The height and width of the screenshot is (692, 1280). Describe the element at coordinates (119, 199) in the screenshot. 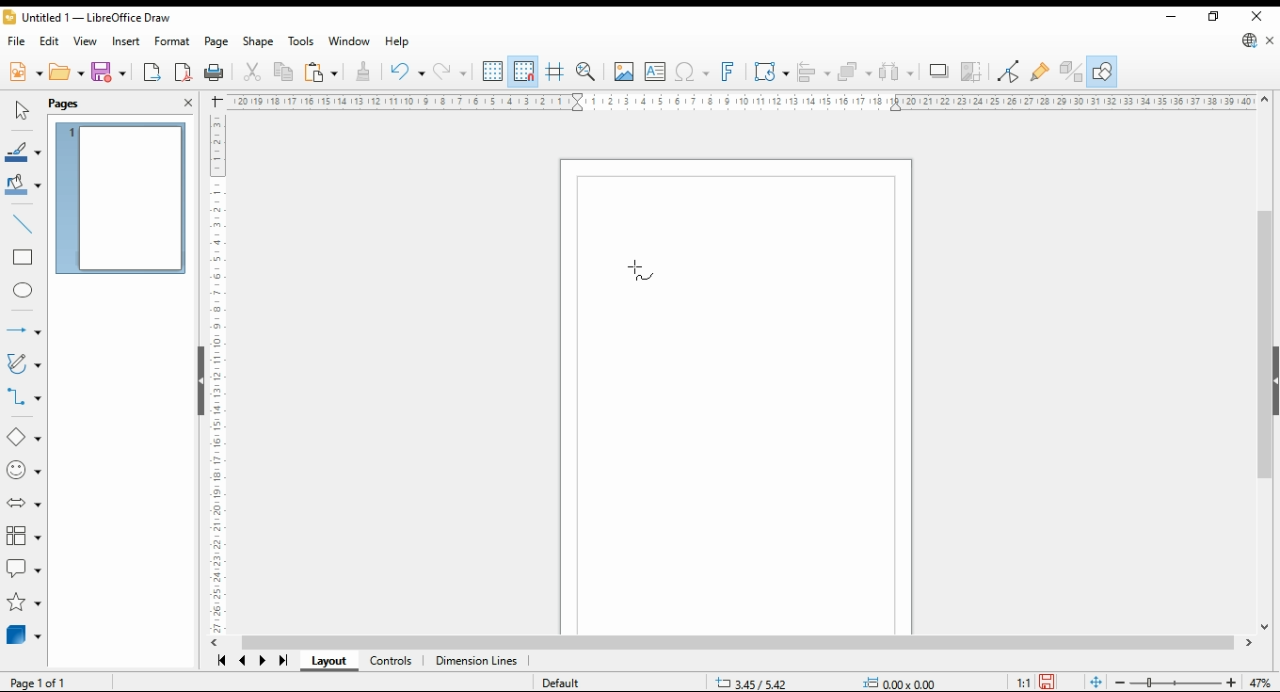

I see `page 1` at that location.